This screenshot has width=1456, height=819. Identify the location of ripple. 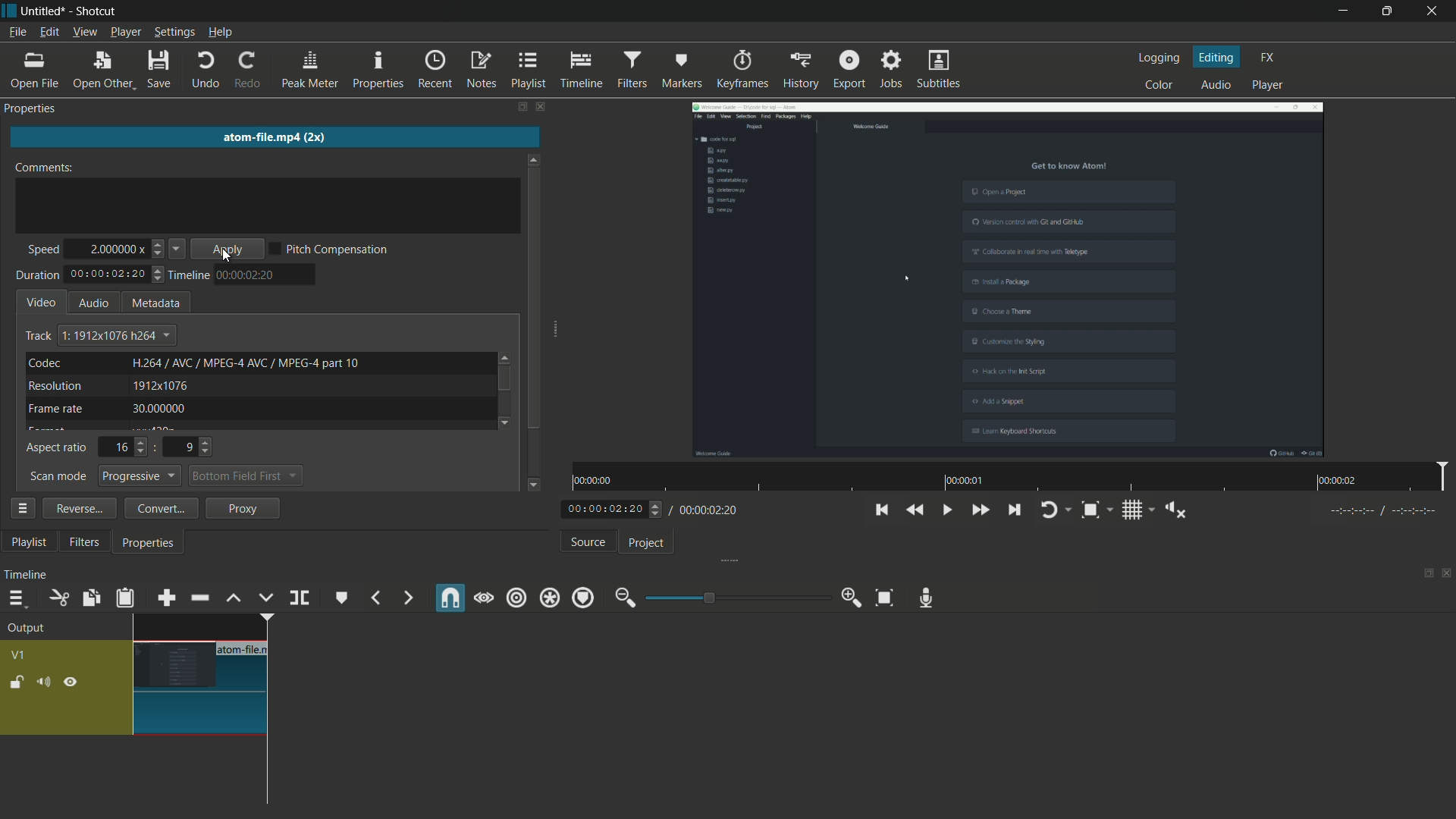
(516, 598).